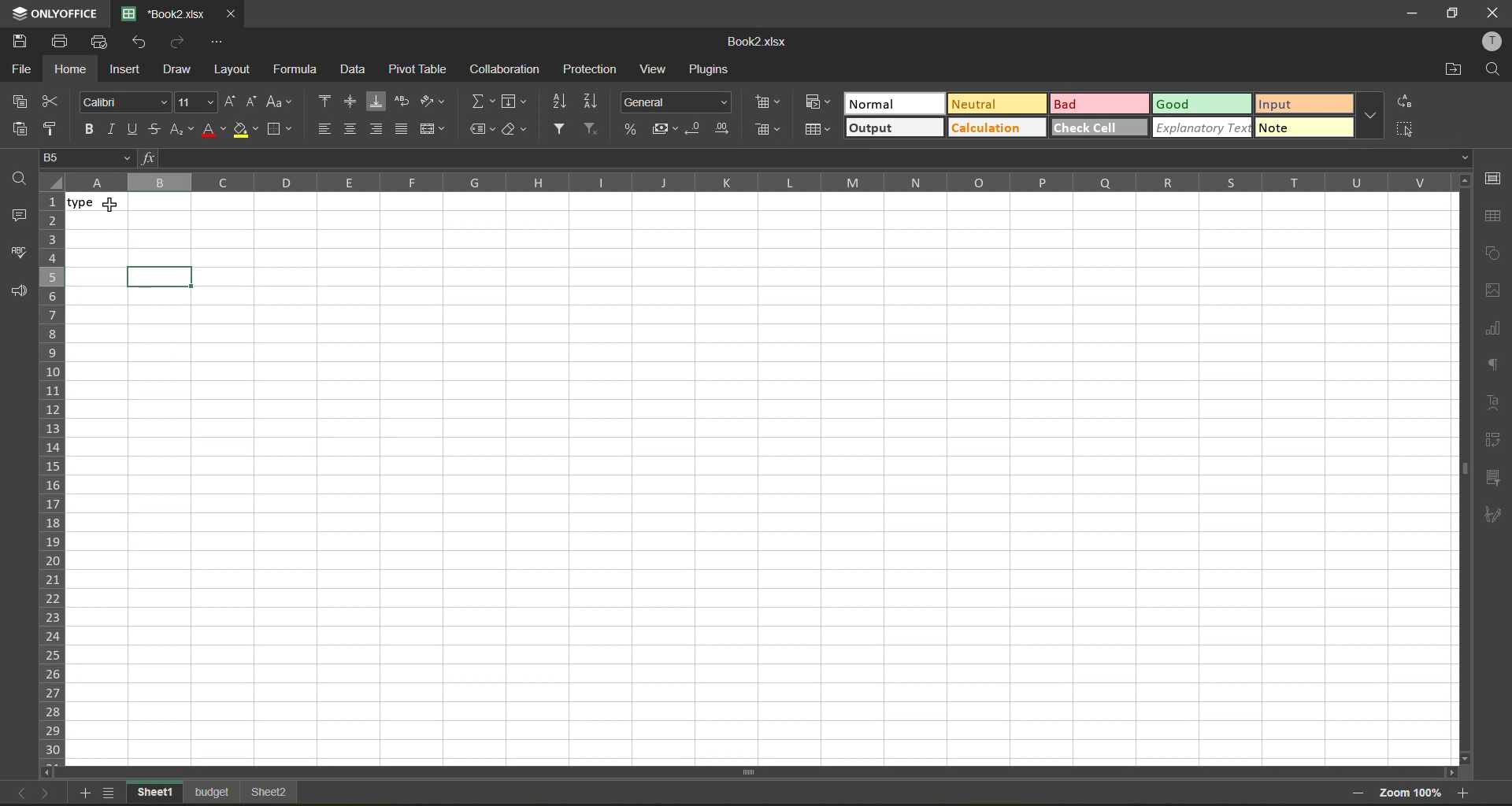  I want to click on cursor, so click(112, 205).